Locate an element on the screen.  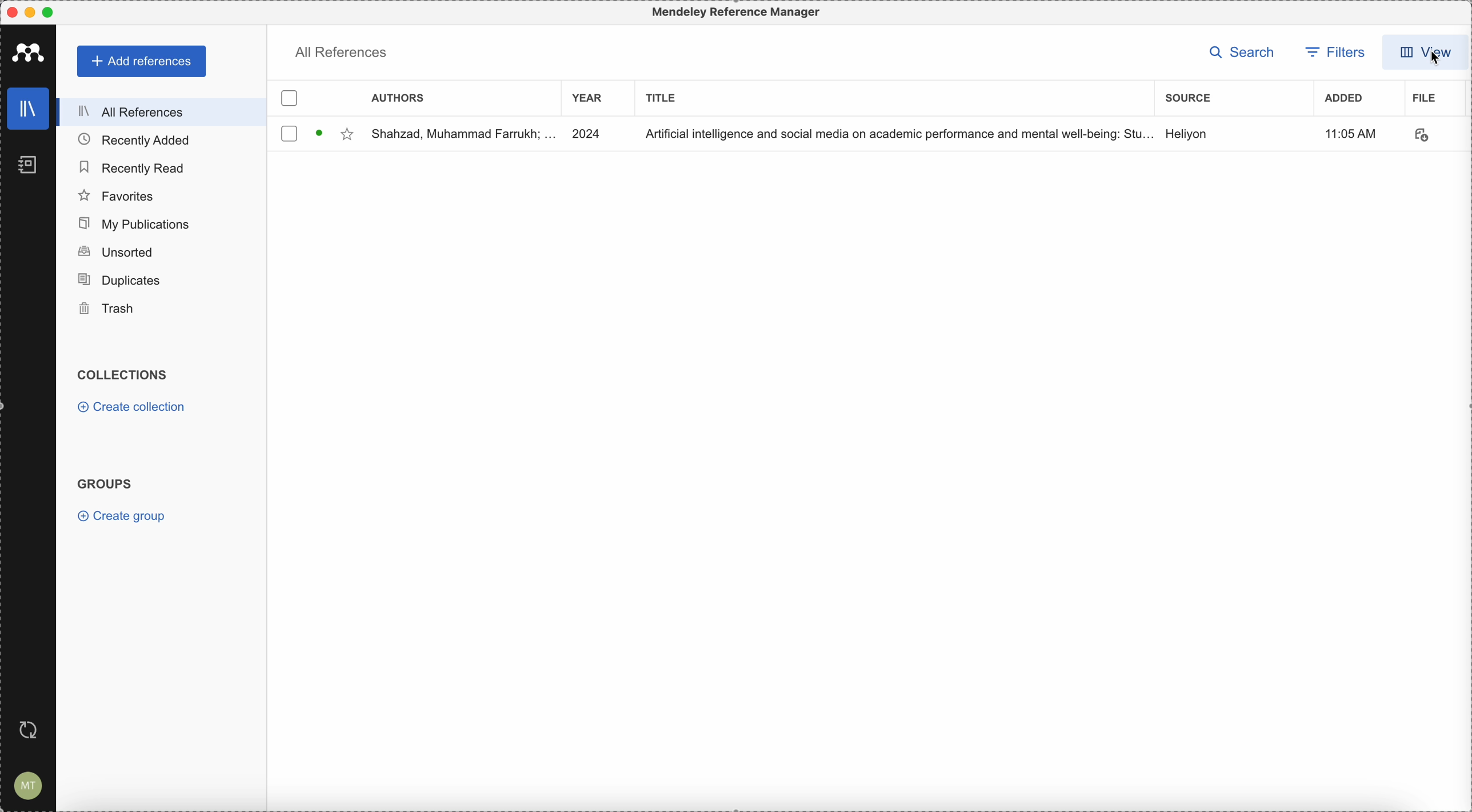
authors is located at coordinates (398, 99).